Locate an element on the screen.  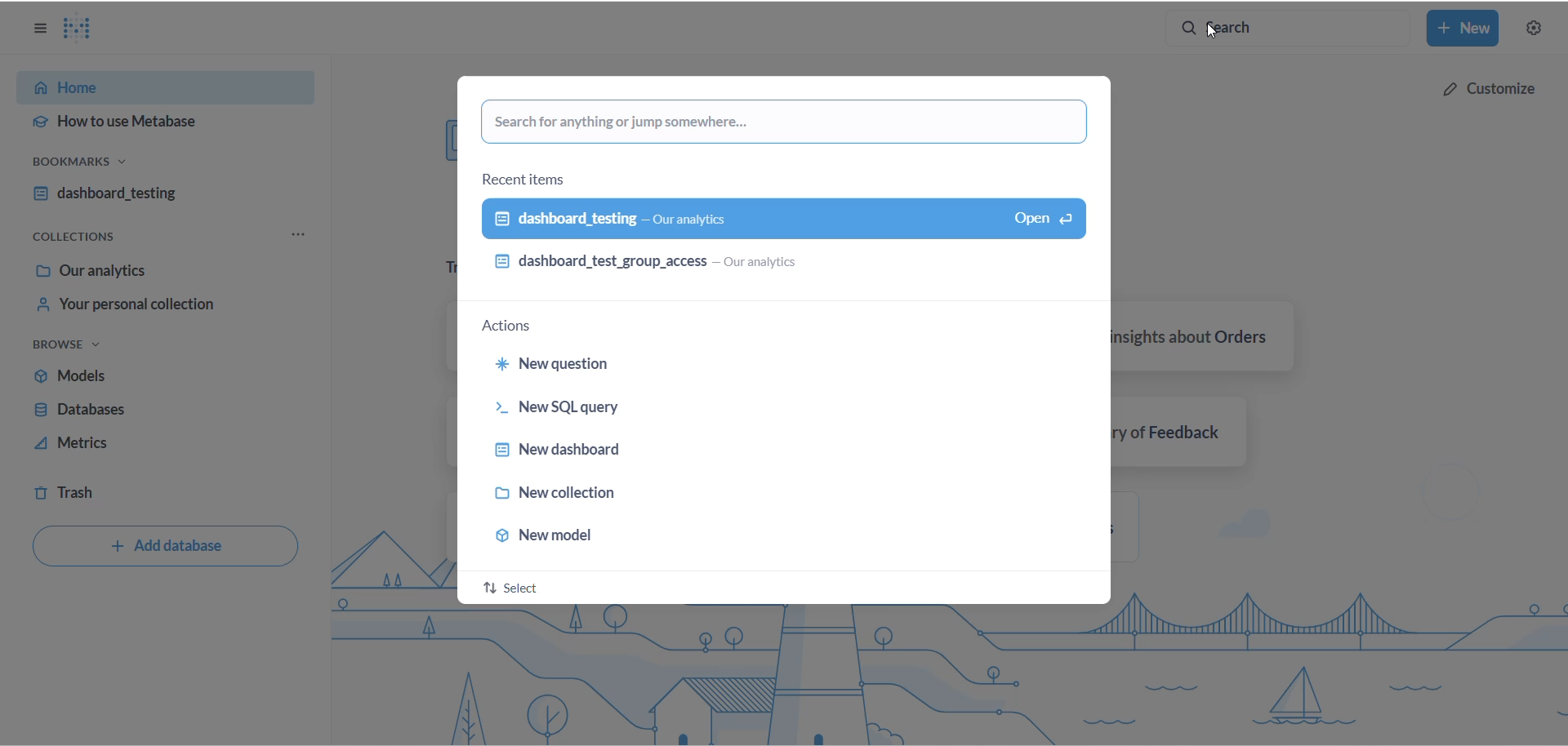
select is located at coordinates (518, 588).